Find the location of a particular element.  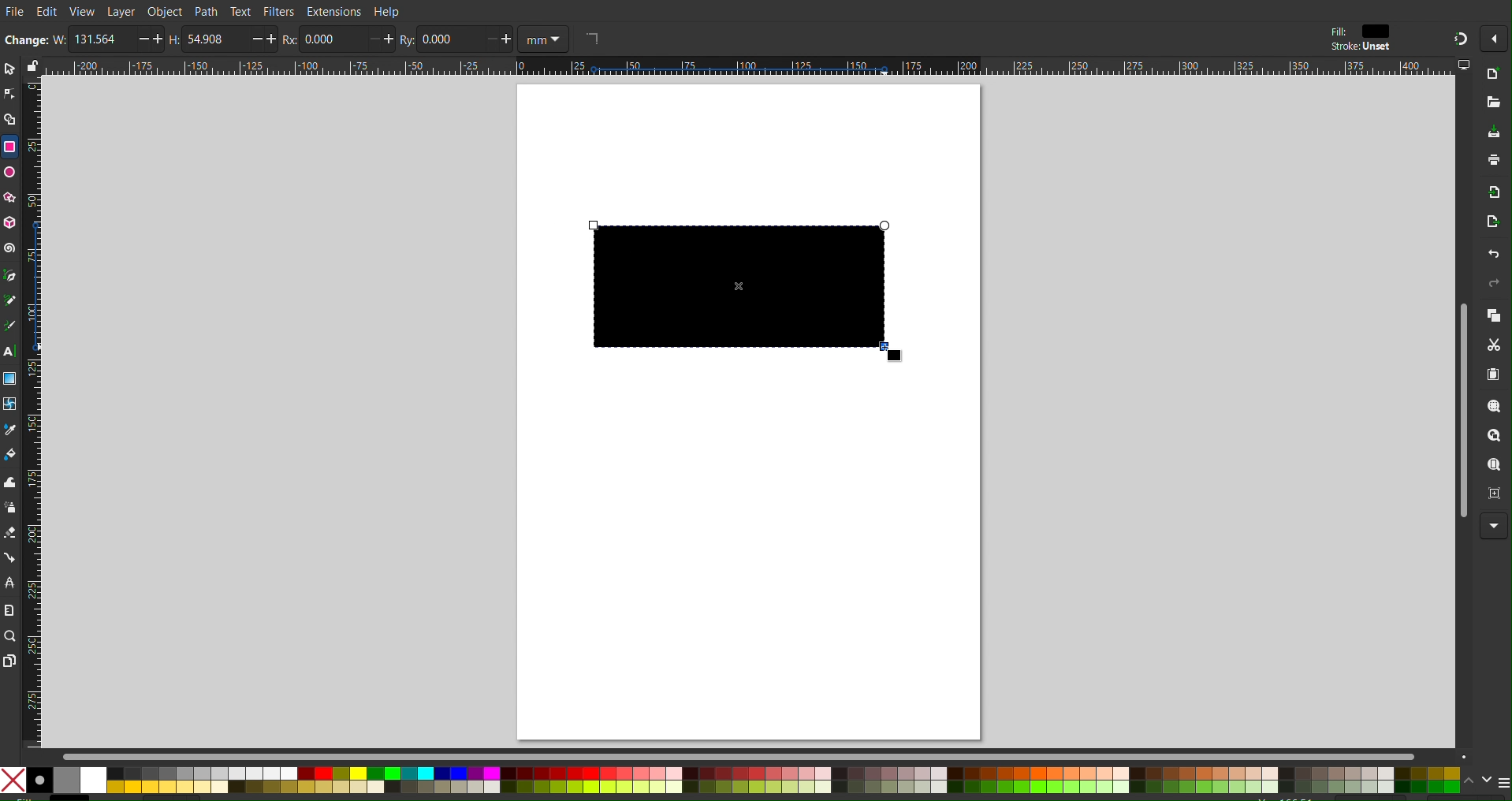

Zoom Drawing is located at coordinates (1496, 438).